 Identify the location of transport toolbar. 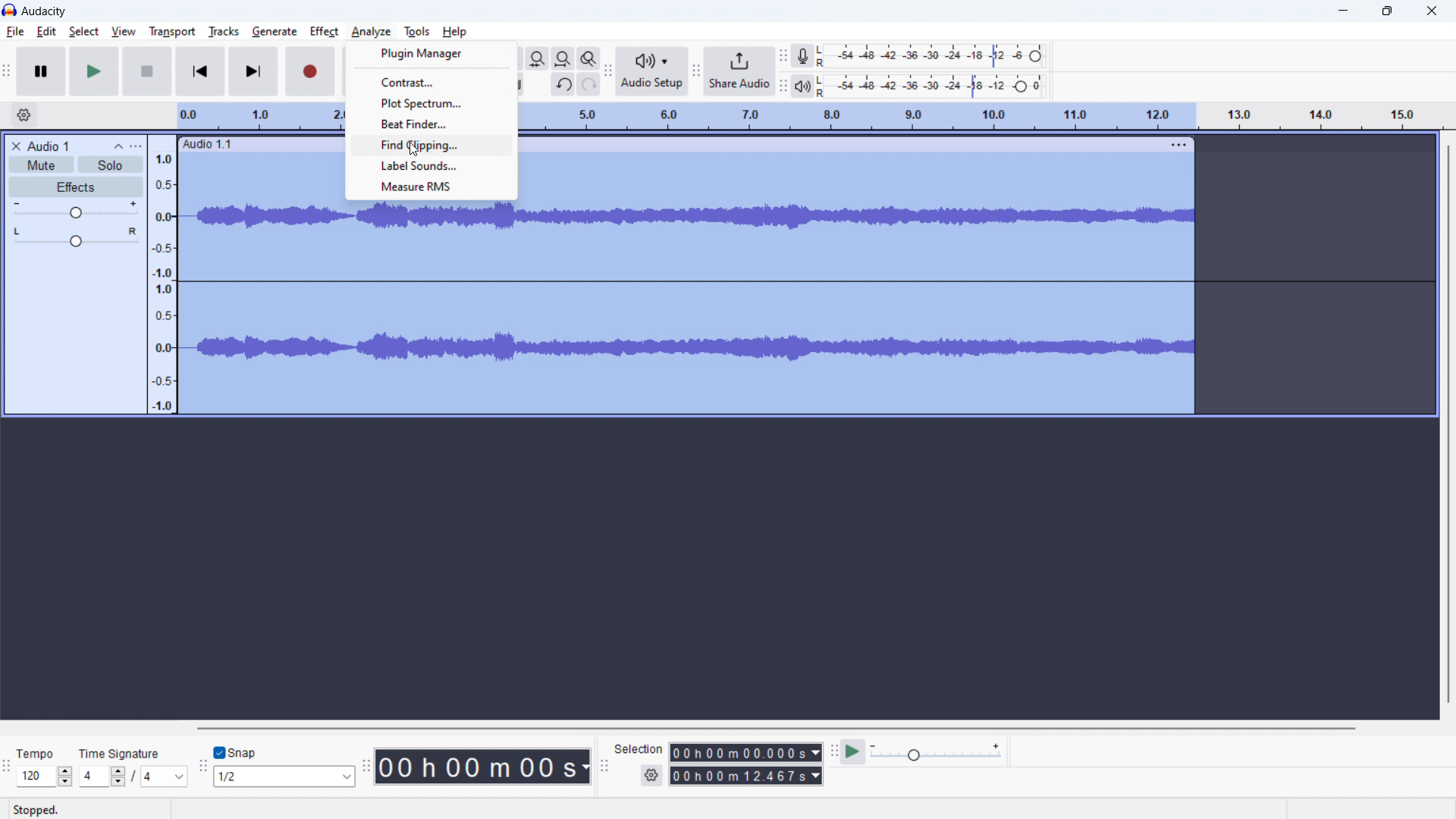
(8, 72).